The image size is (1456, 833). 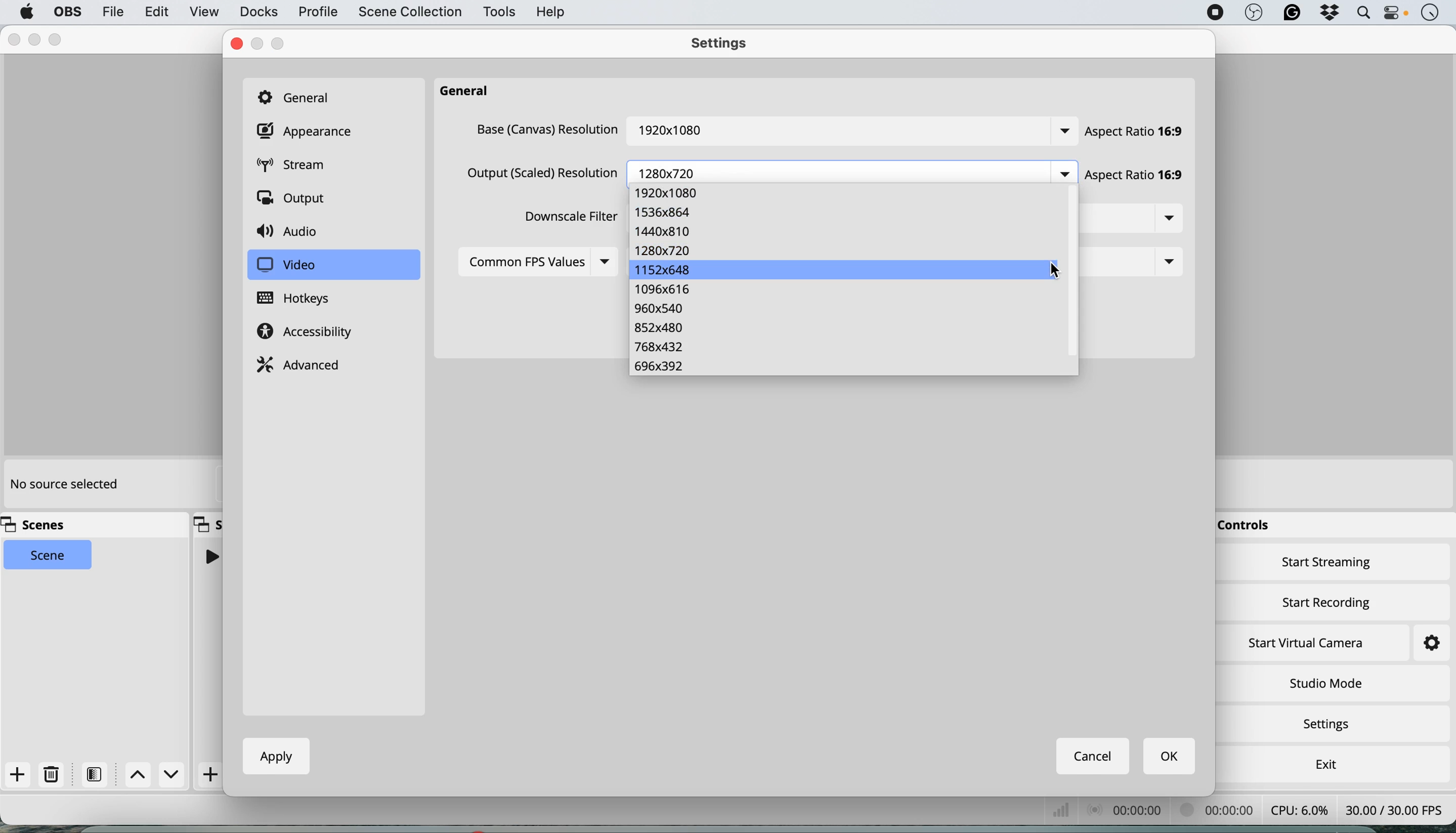 I want to click on appearance, so click(x=308, y=132).